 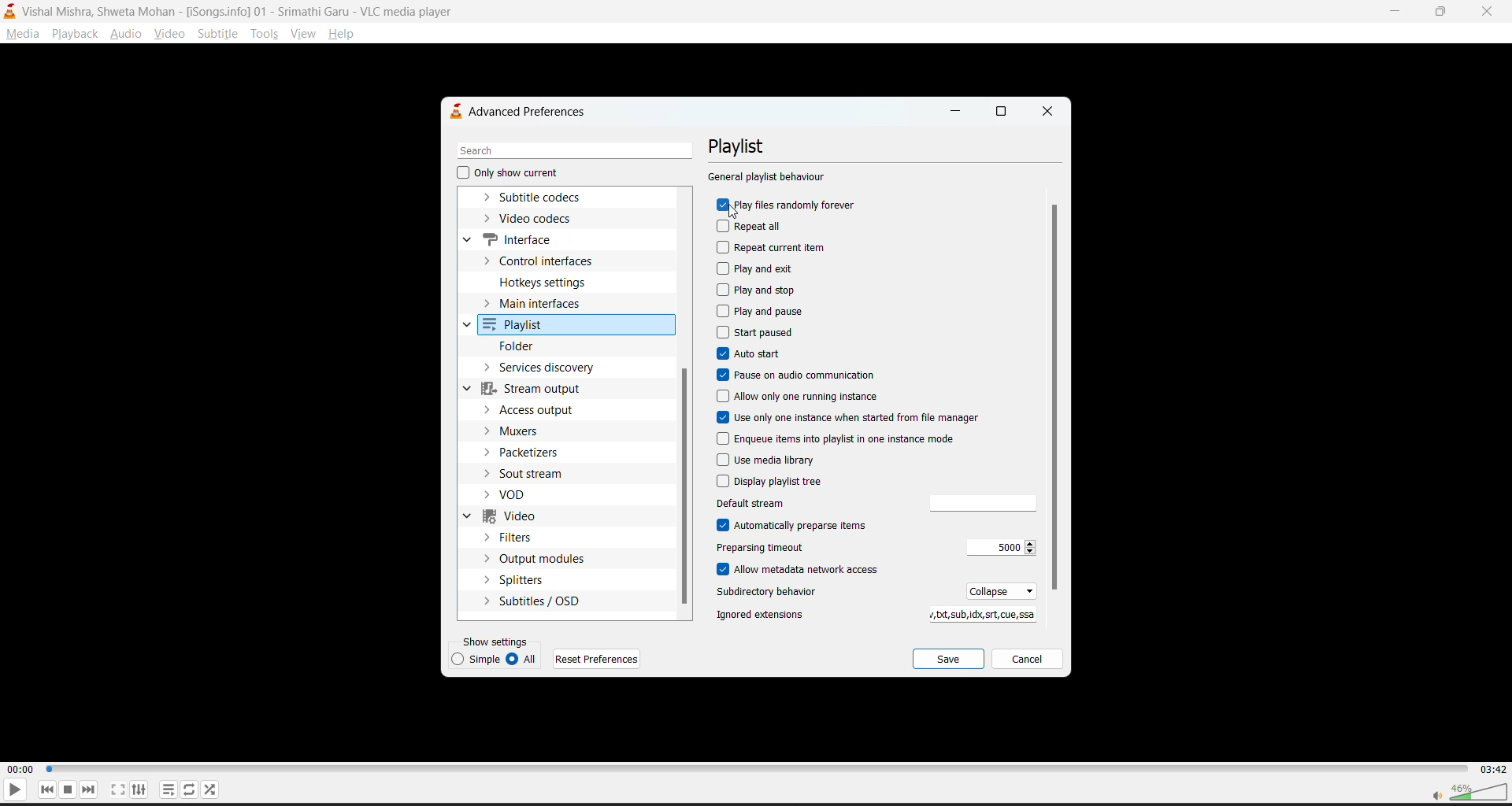 What do you see at coordinates (218, 35) in the screenshot?
I see `subtitle` at bounding box center [218, 35].